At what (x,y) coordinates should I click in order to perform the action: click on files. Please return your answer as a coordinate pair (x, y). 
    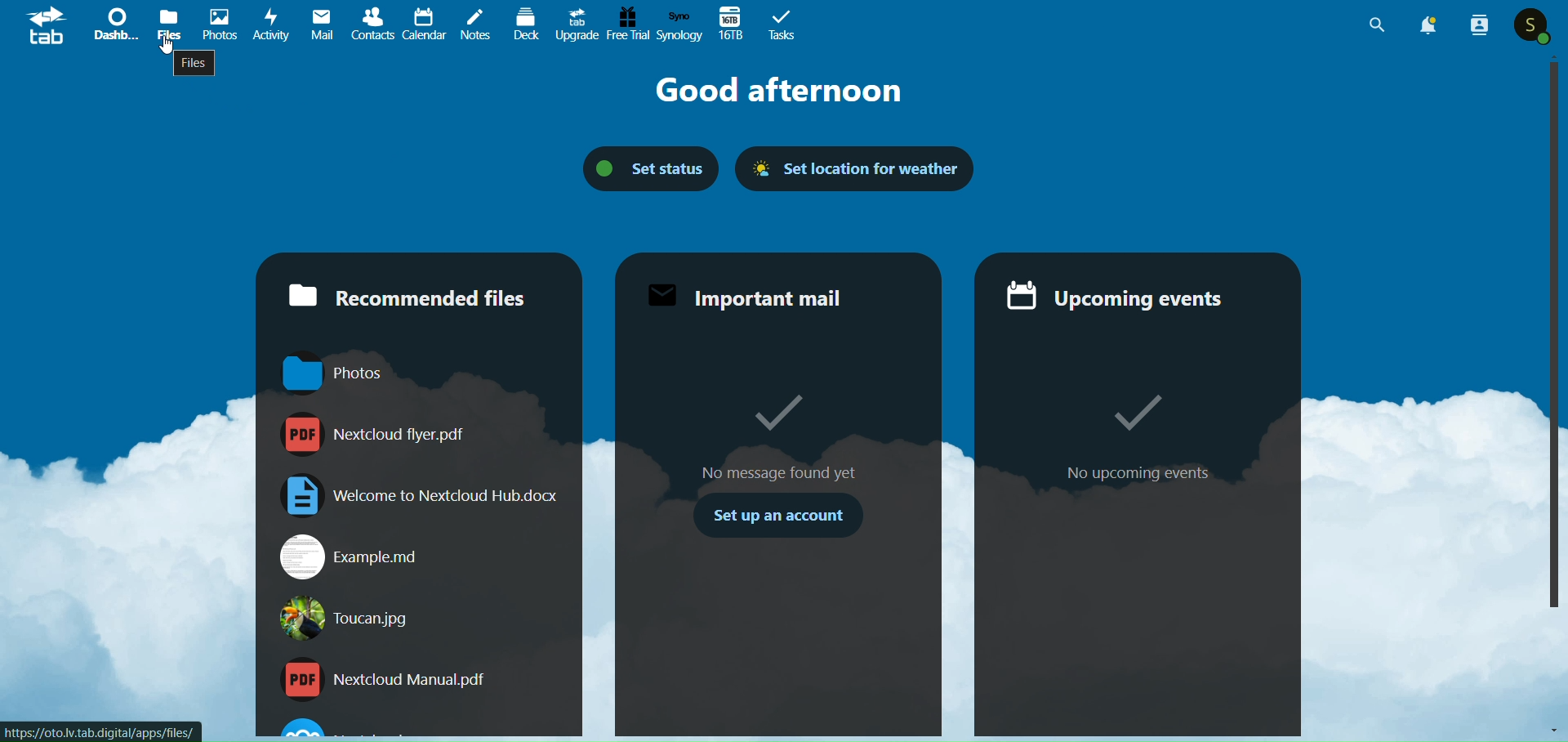
    Looking at the image, I should click on (194, 64).